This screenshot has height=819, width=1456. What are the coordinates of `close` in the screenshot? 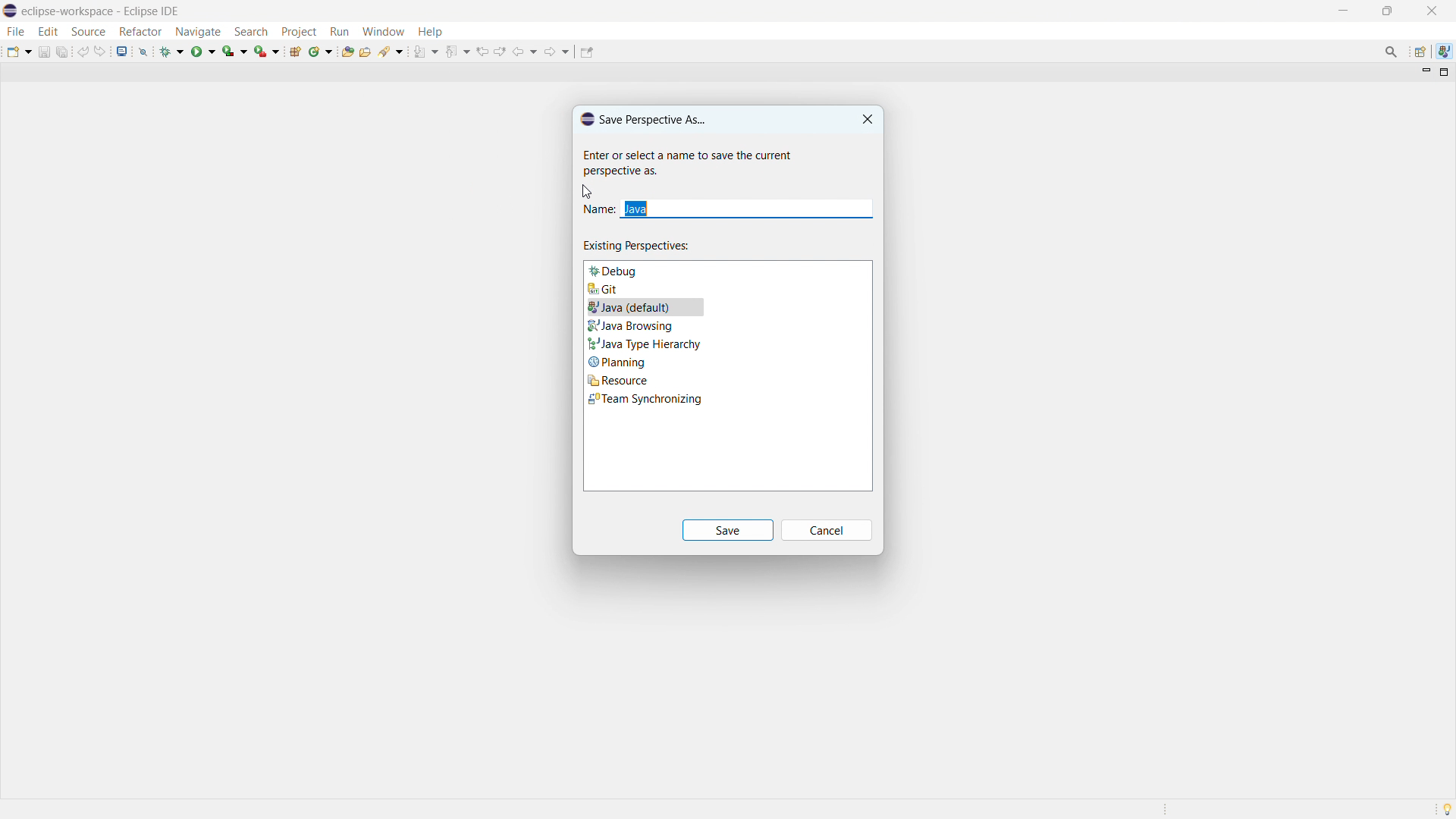 It's located at (1431, 11).